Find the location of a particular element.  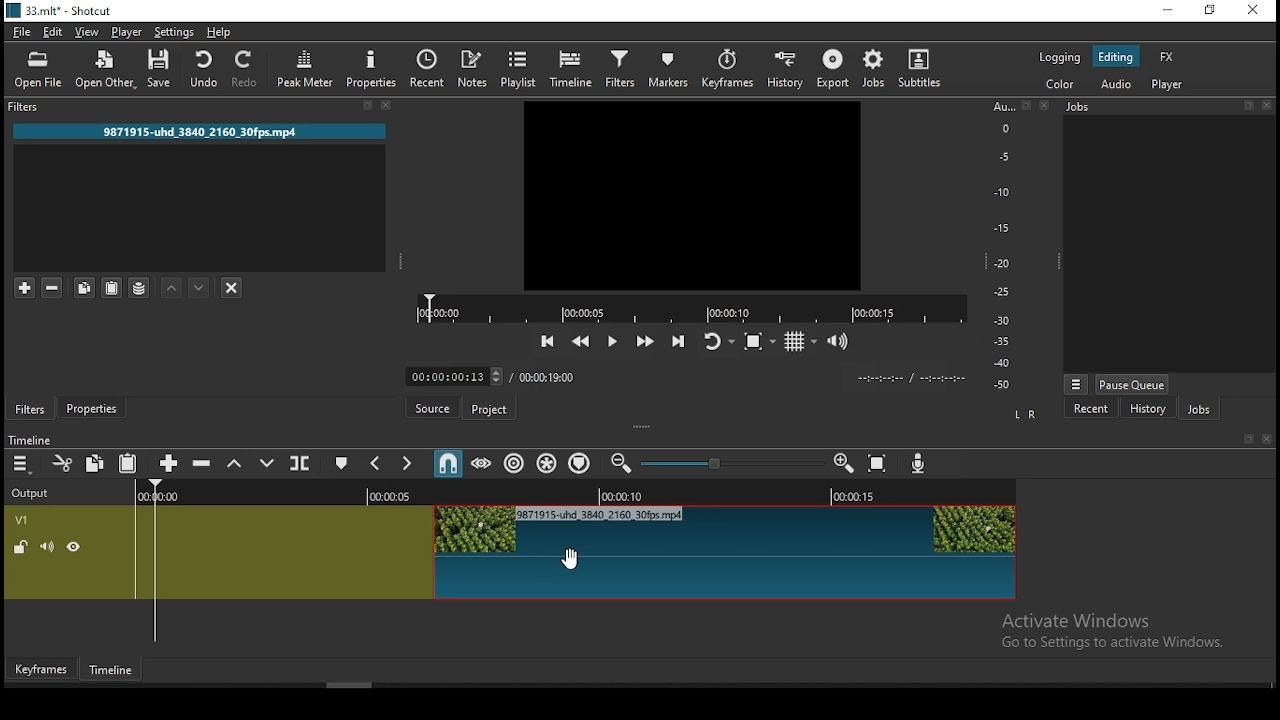

restore is located at coordinates (1211, 11).